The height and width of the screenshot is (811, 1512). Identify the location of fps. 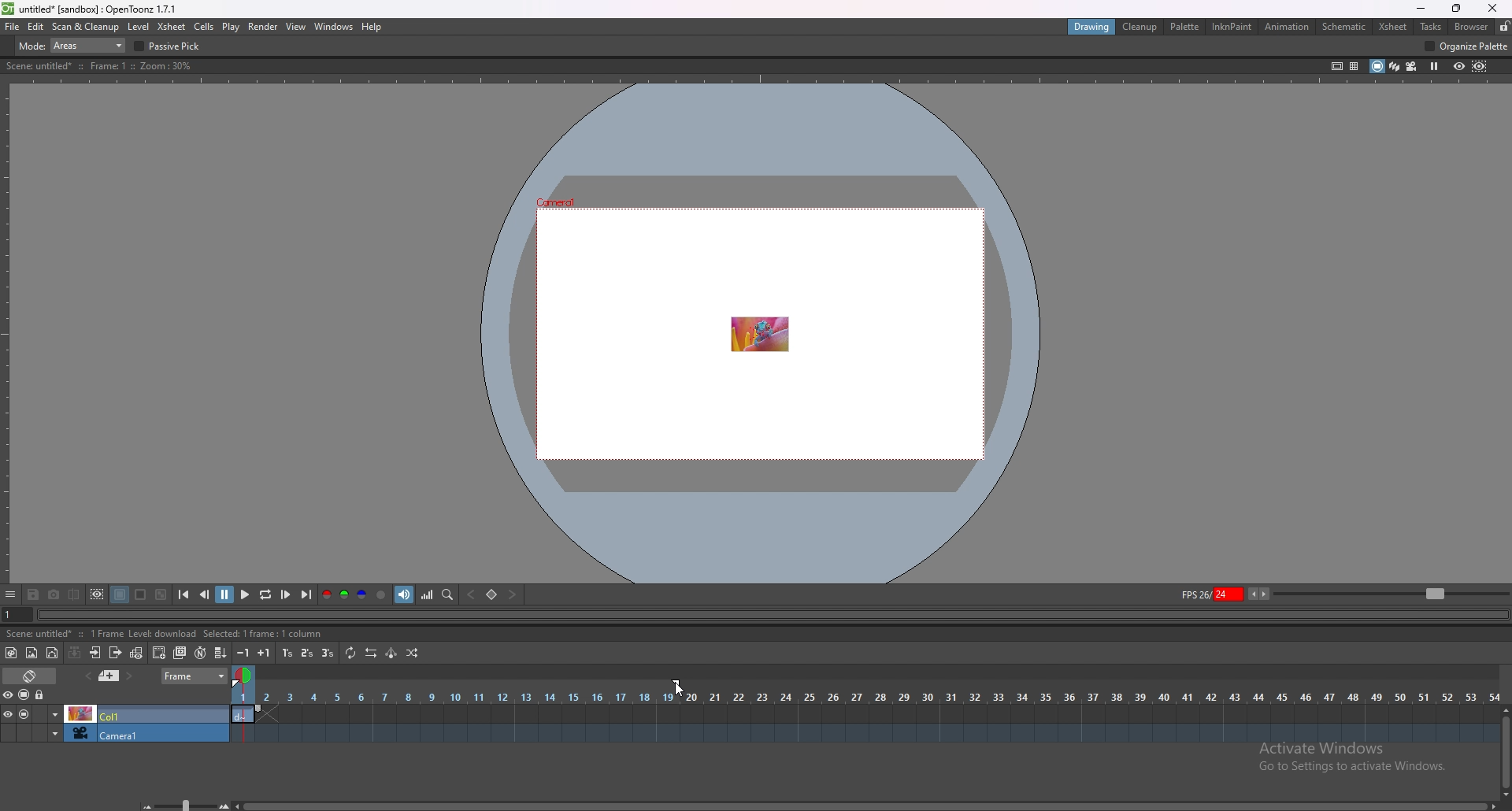
(1225, 594).